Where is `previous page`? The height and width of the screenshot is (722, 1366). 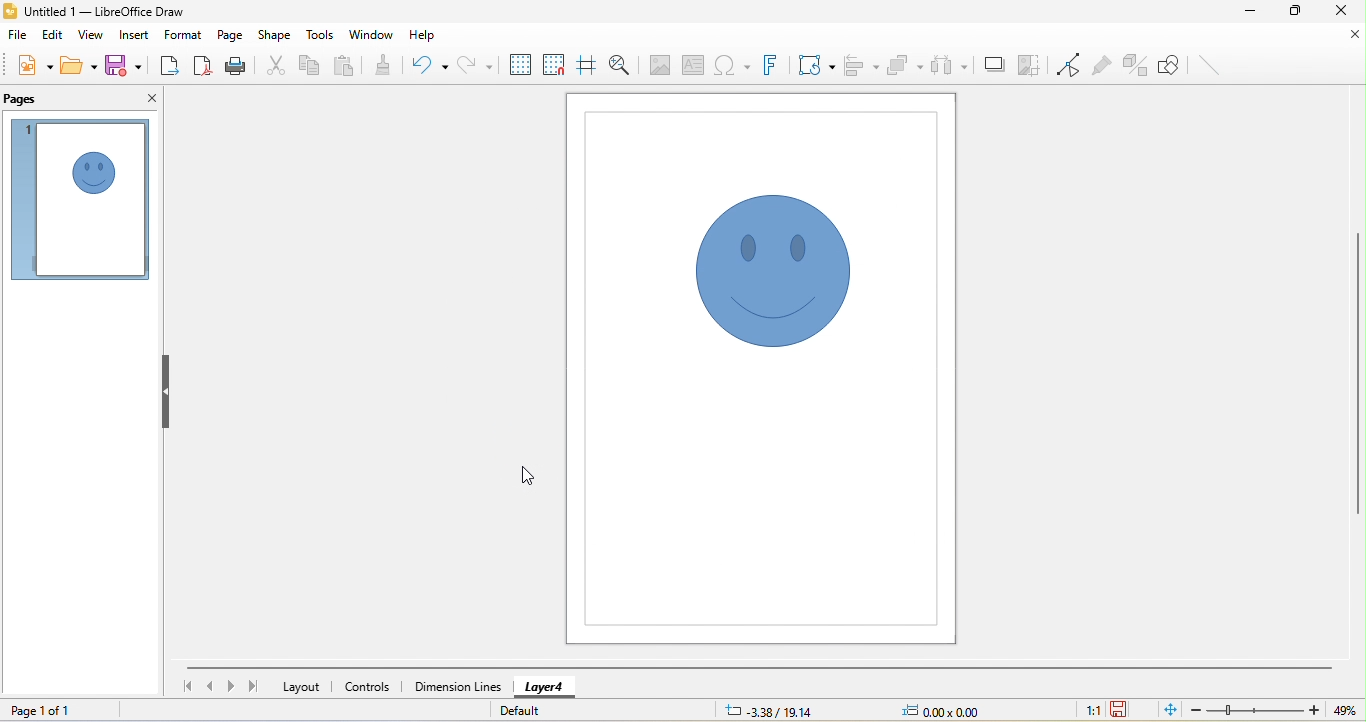 previous page is located at coordinates (209, 686).